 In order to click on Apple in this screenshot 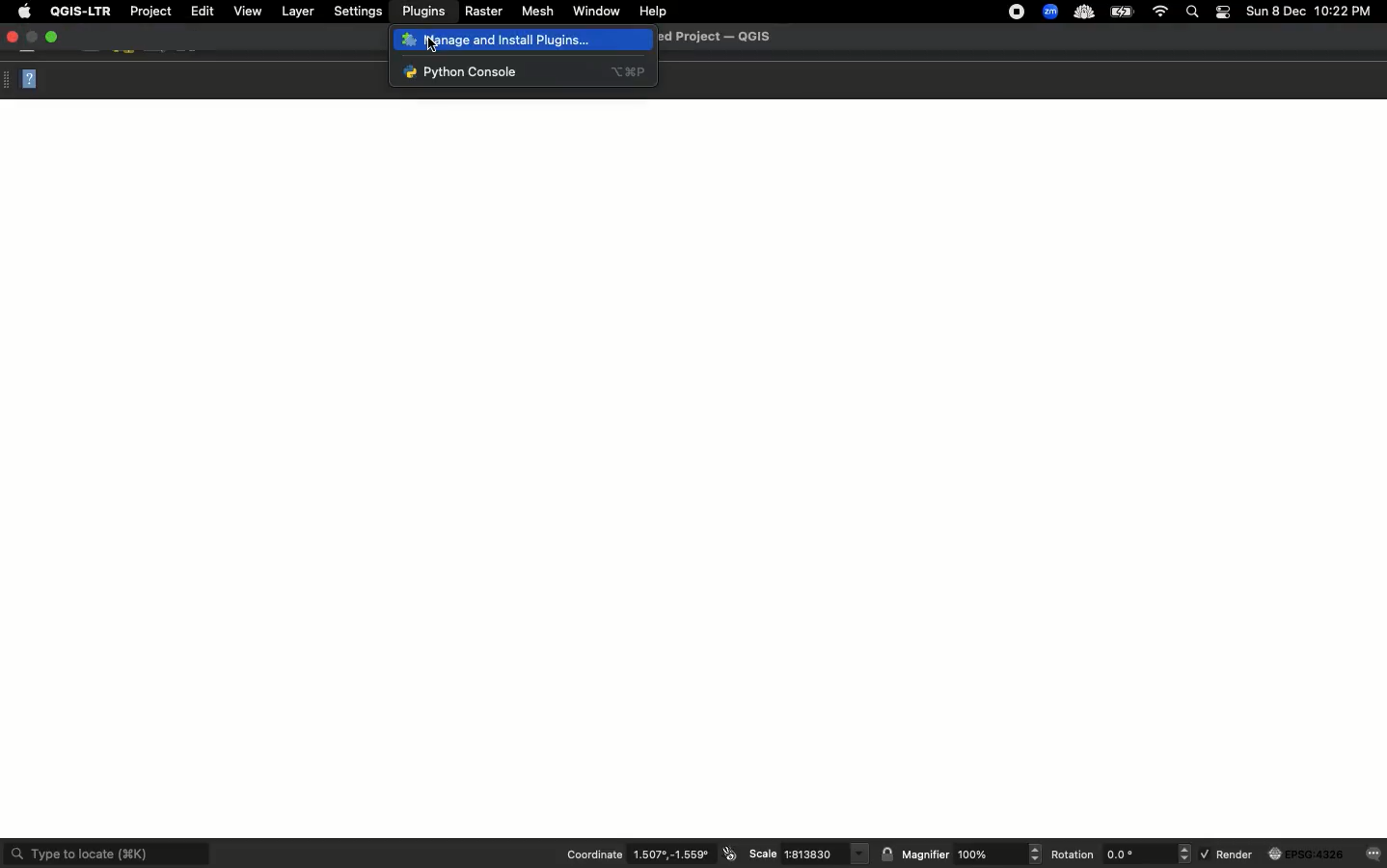, I will do `click(21, 12)`.